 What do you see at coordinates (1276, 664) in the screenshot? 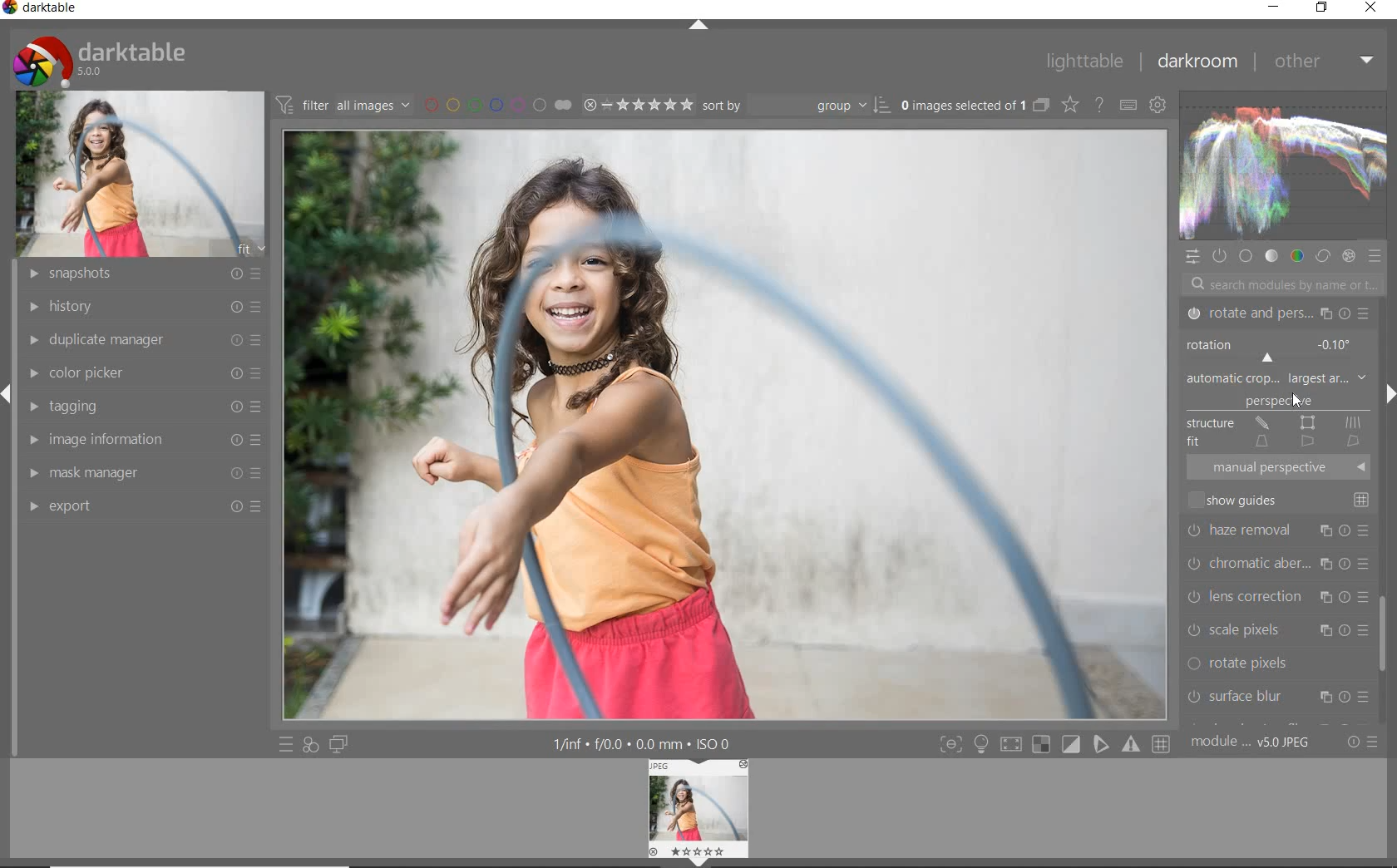
I see `rotate pixels` at bounding box center [1276, 664].